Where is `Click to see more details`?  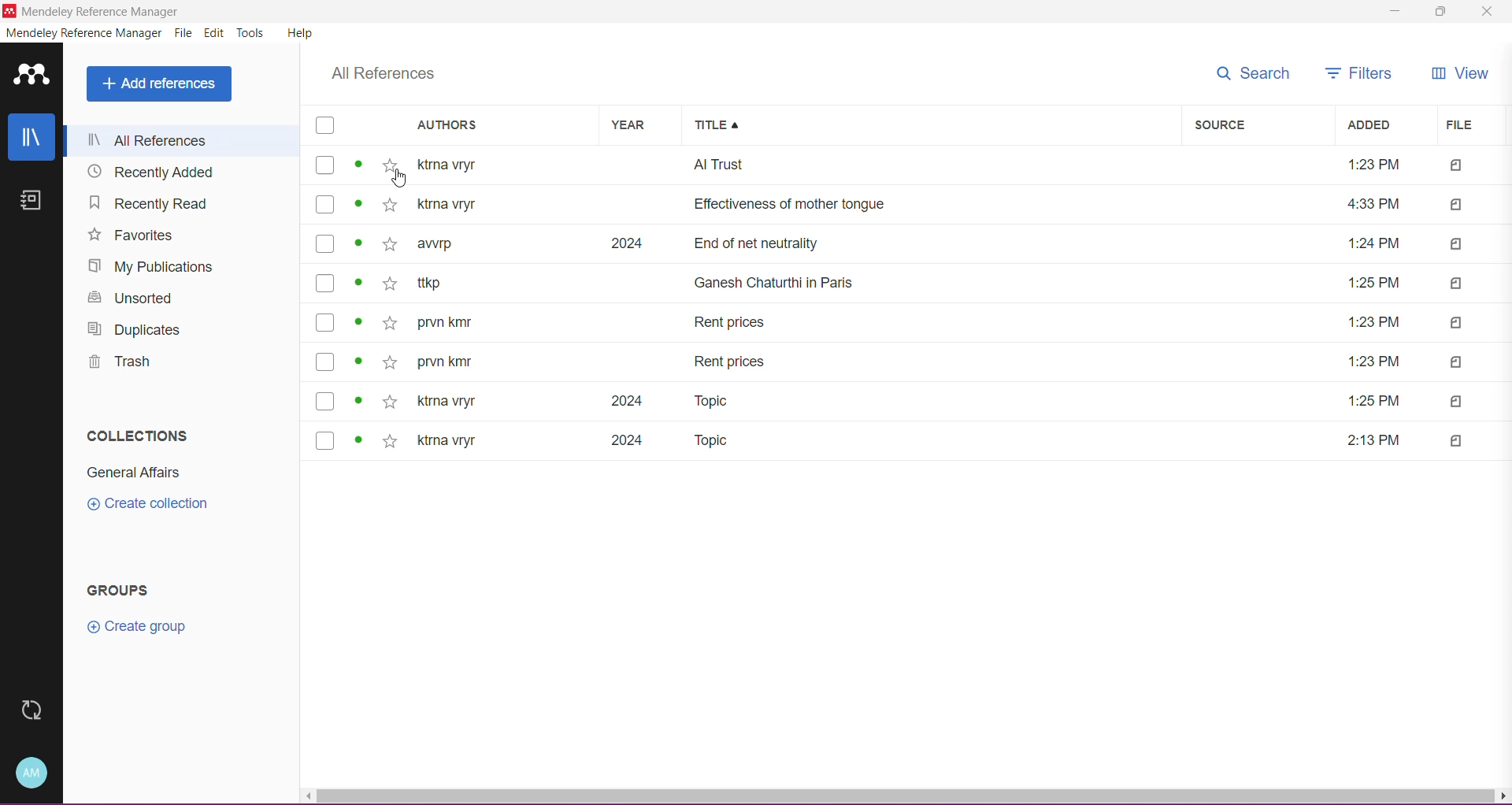 Click to see more details is located at coordinates (358, 203).